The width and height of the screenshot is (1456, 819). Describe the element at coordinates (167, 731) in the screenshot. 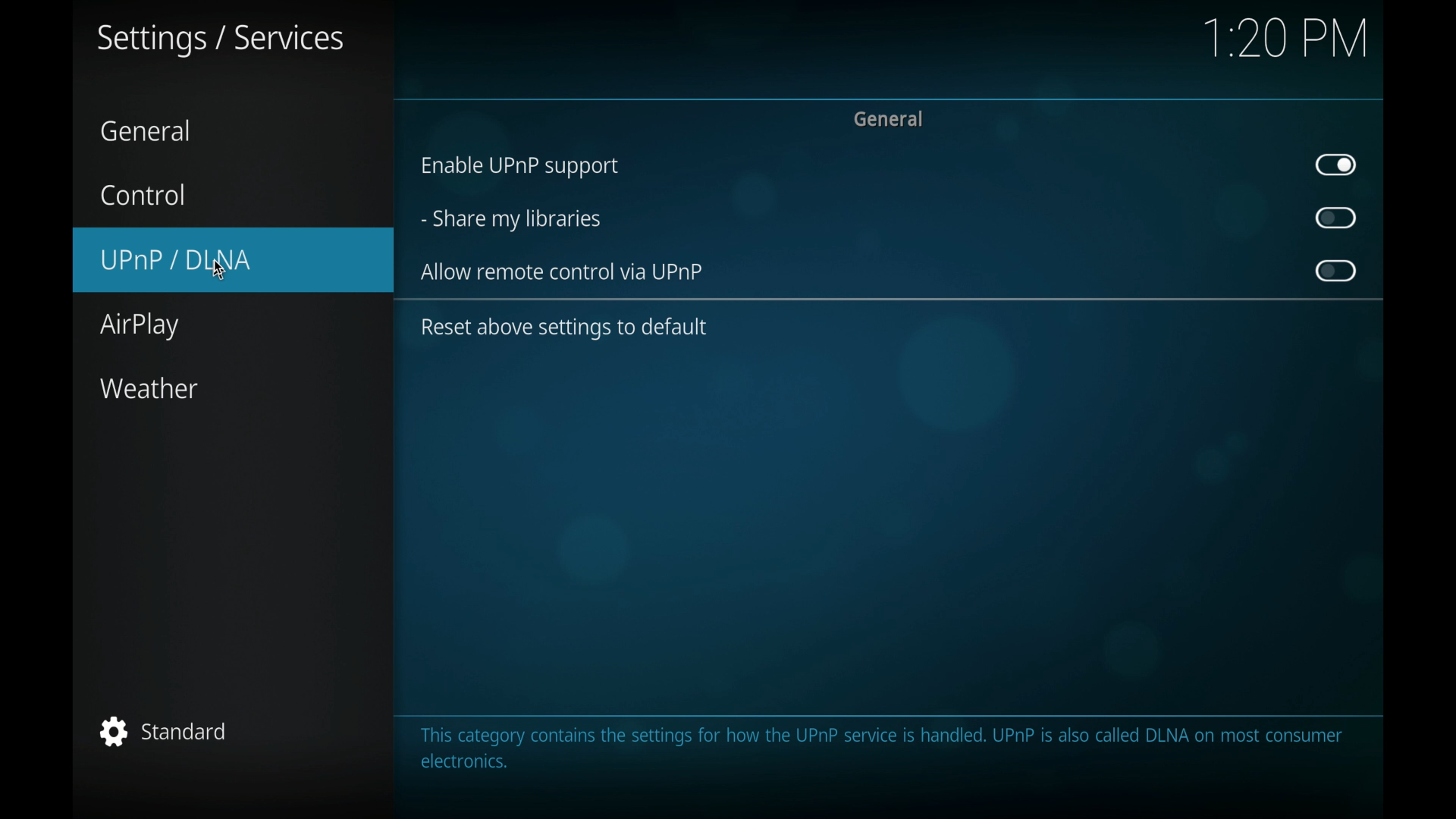

I see `standard` at that location.